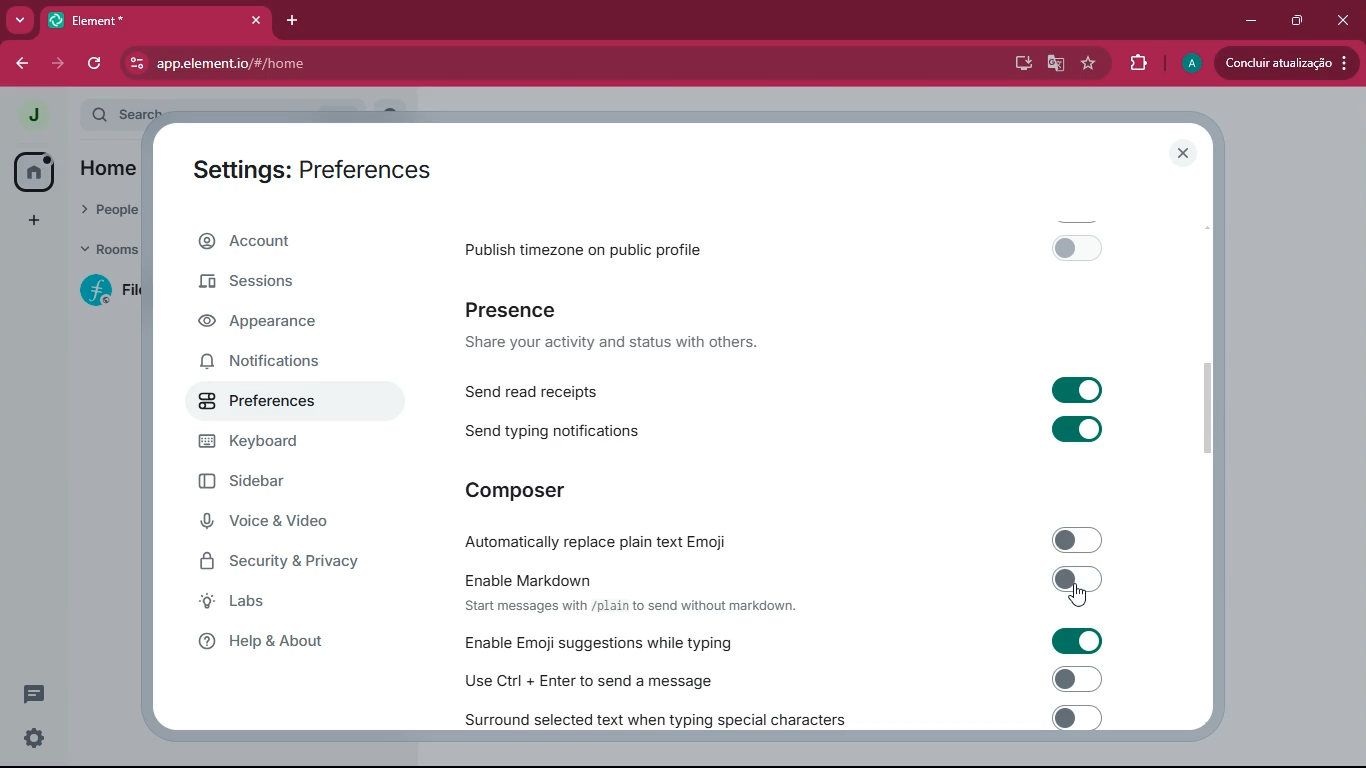 This screenshot has height=768, width=1366. Describe the element at coordinates (785, 430) in the screenshot. I see `send typing` at that location.